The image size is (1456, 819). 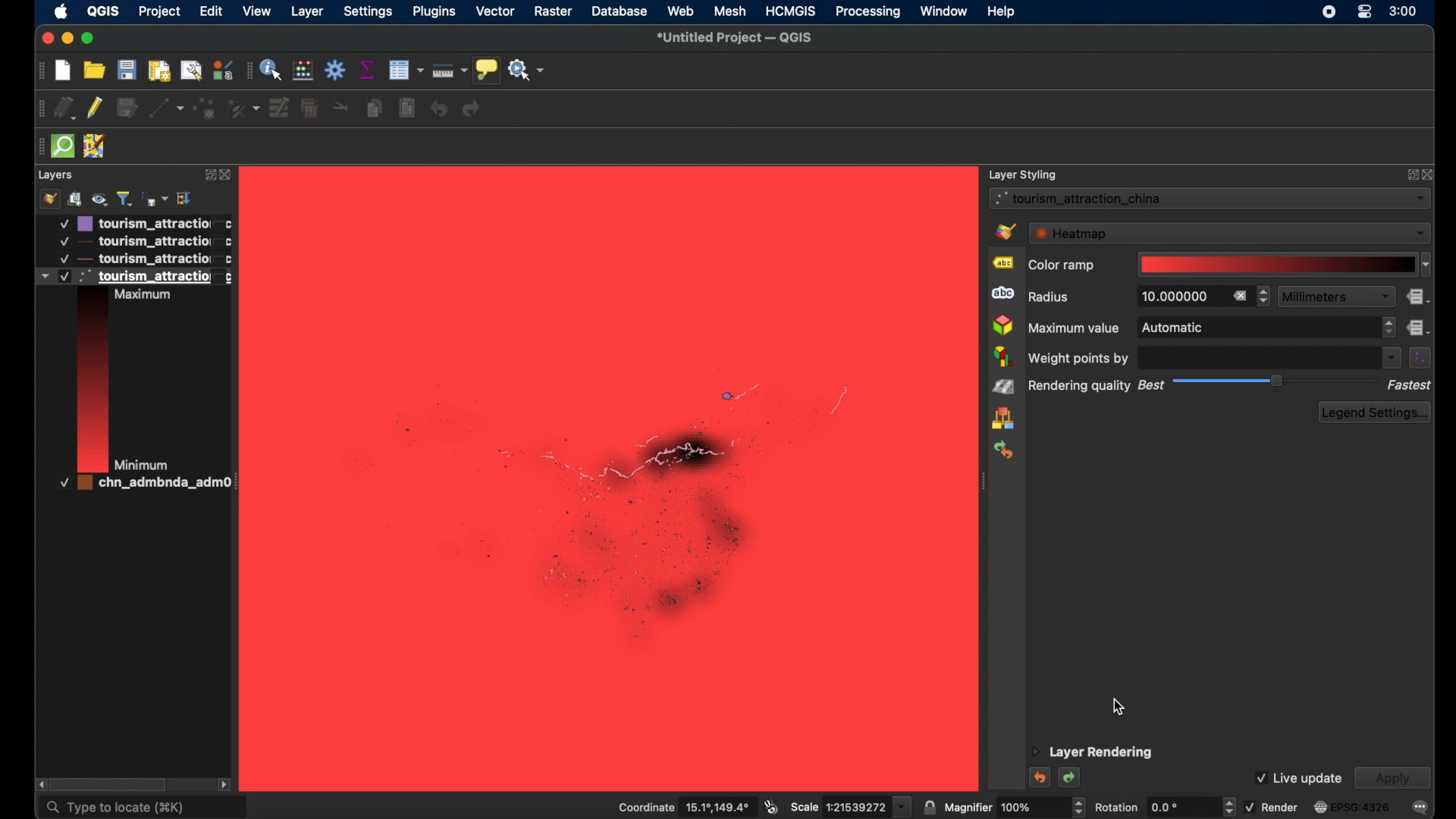 I want to click on layer 4, so click(x=136, y=486).